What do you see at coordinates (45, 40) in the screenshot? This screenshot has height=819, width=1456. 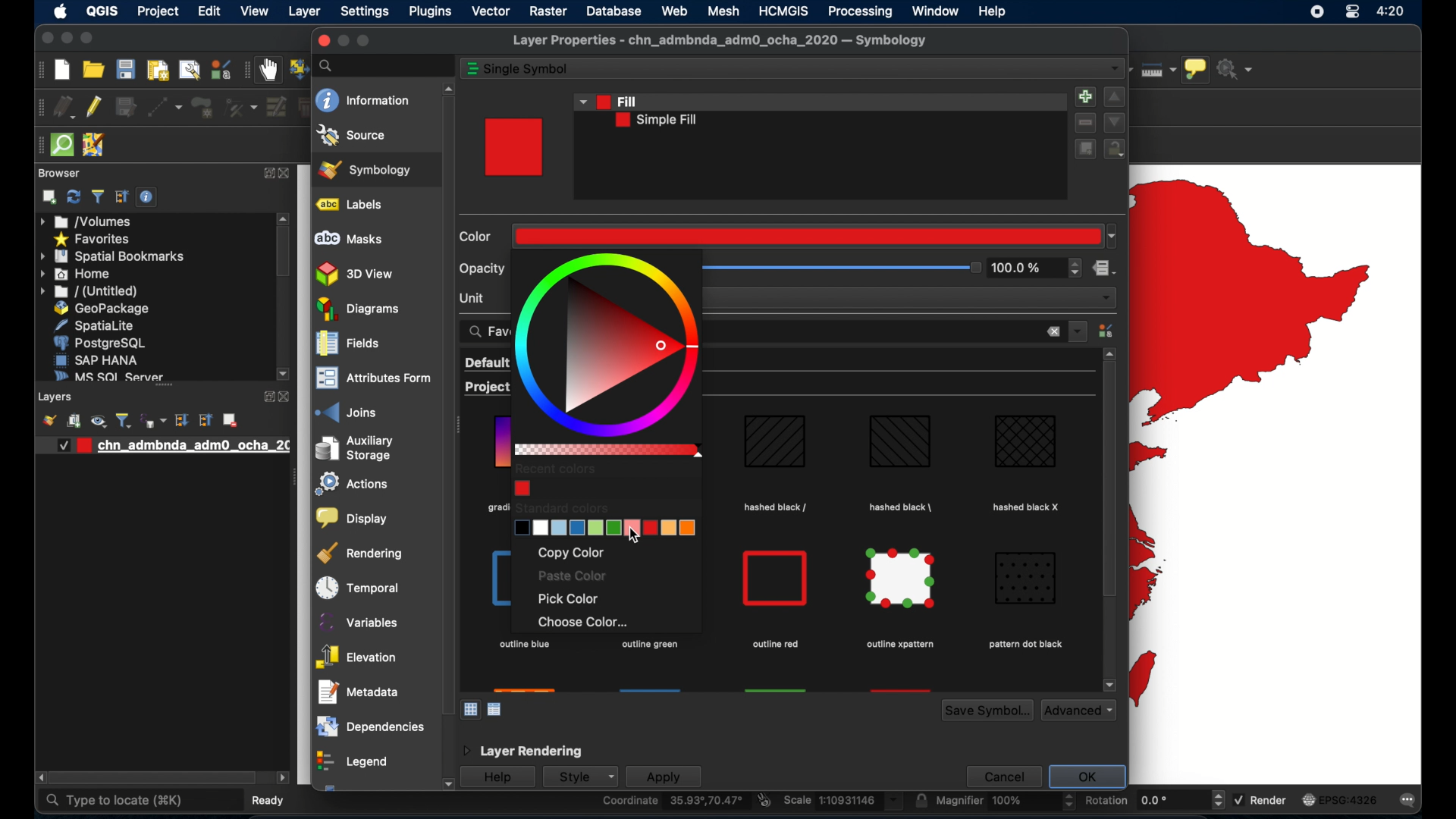 I see `close` at bounding box center [45, 40].